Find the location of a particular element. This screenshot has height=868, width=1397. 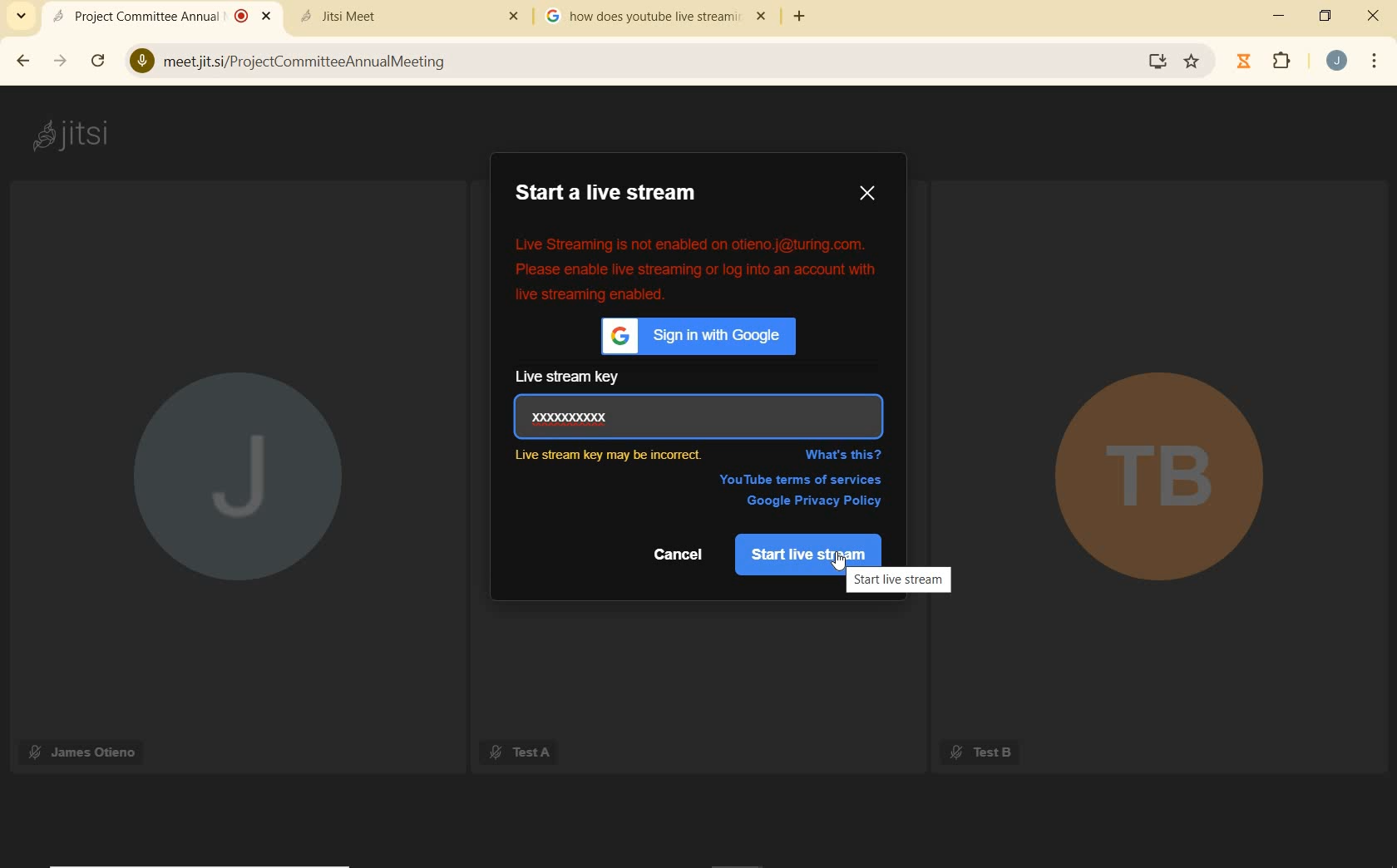

James Otieno is located at coordinates (86, 752).